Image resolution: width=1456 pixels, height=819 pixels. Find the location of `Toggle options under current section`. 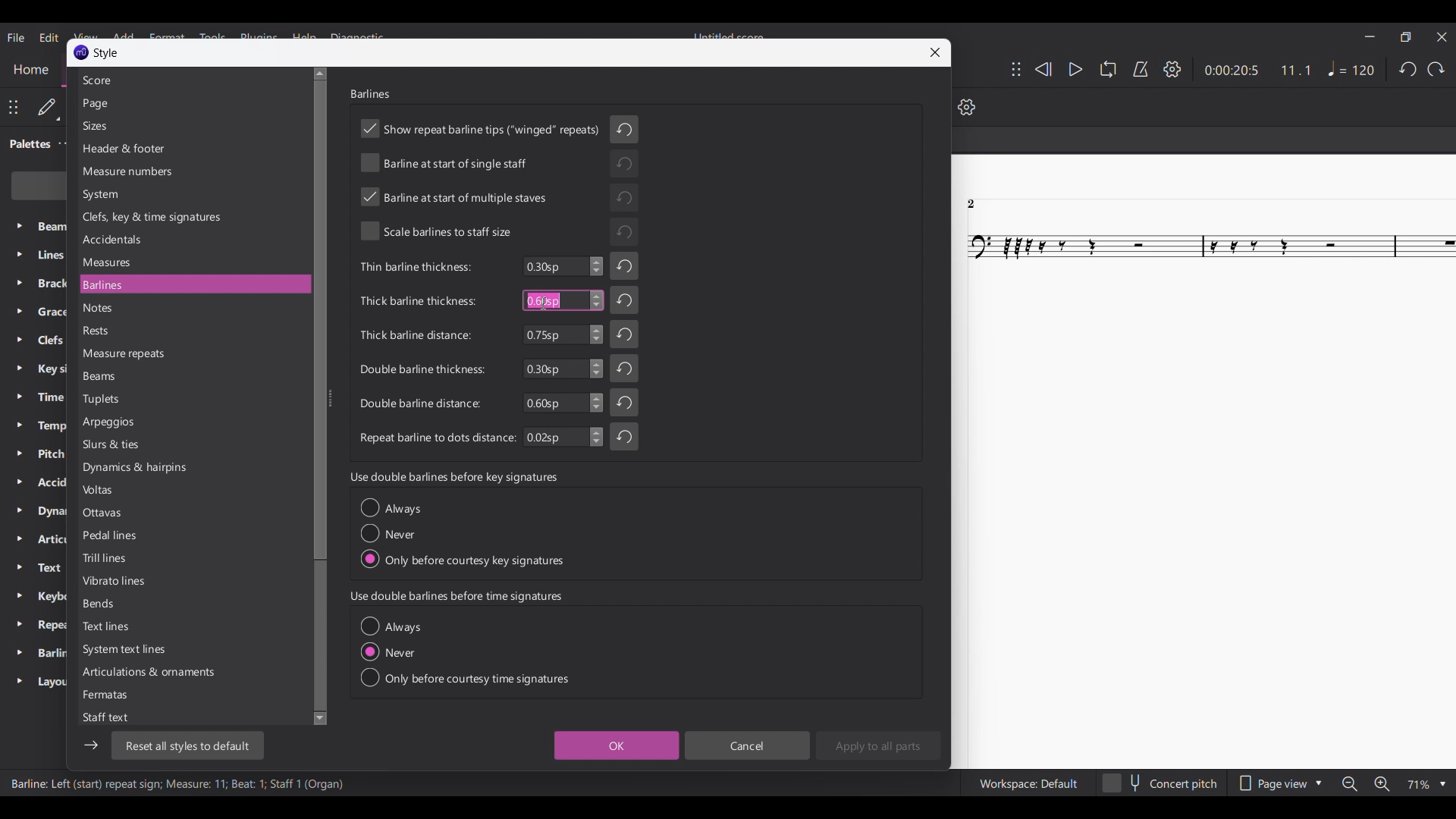

Toggle options under current section is located at coordinates (463, 533).